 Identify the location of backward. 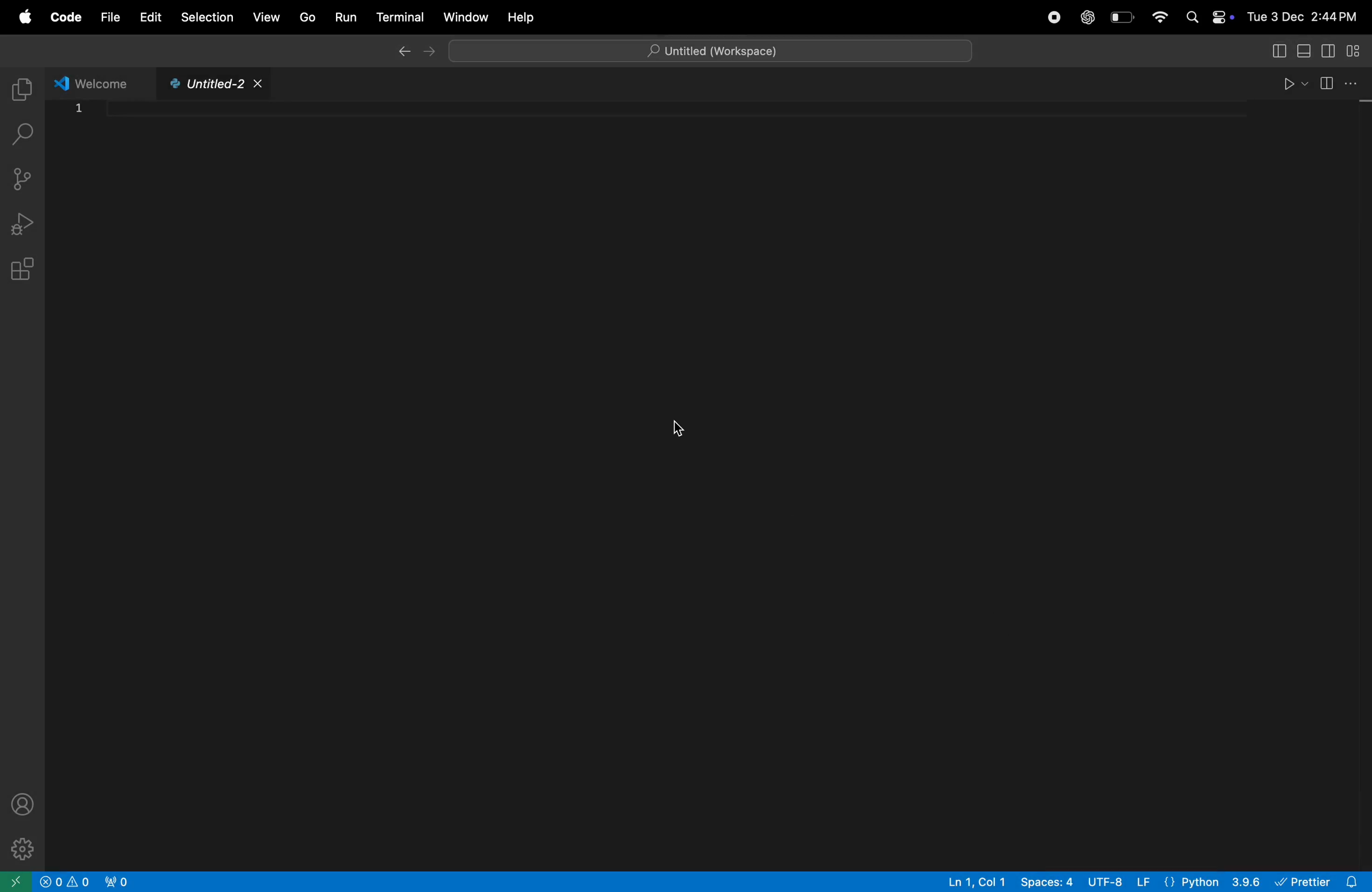
(404, 52).